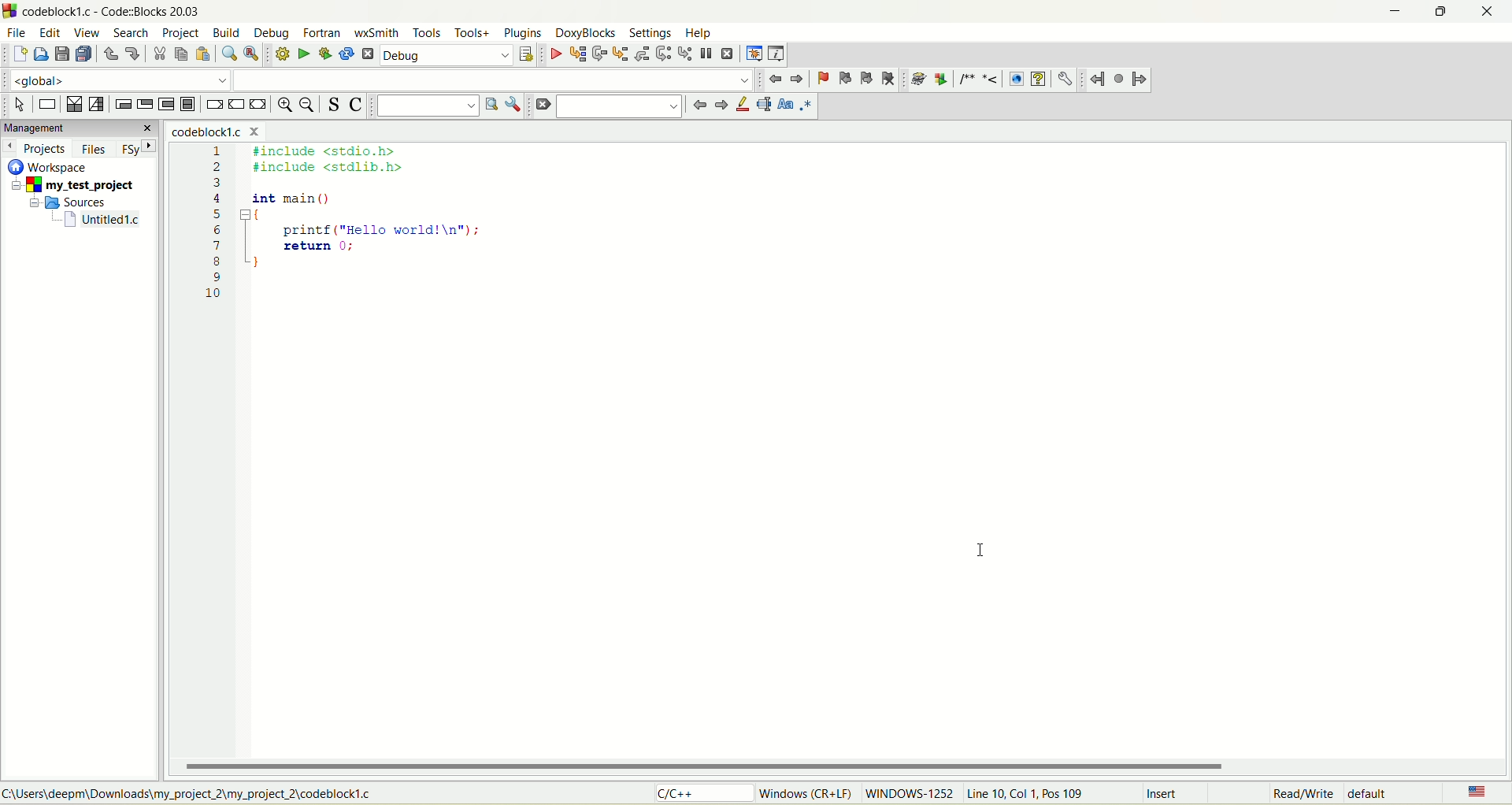  I want to click on logo, so click(9, 10).